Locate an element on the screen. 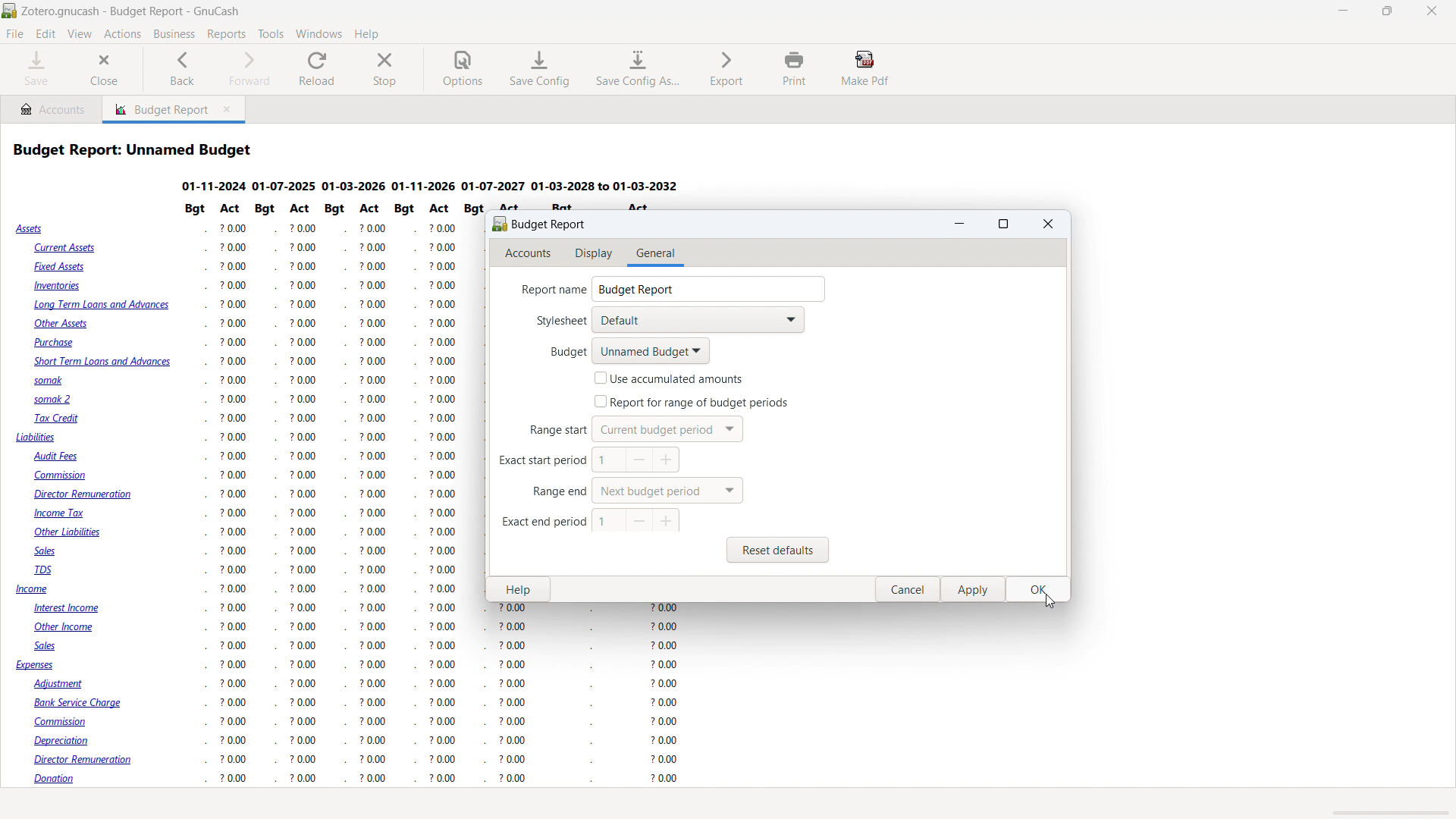 Image resolution: width=1456 pixels, height=819 pixels. maximize is located at coordinates (1386, 11).